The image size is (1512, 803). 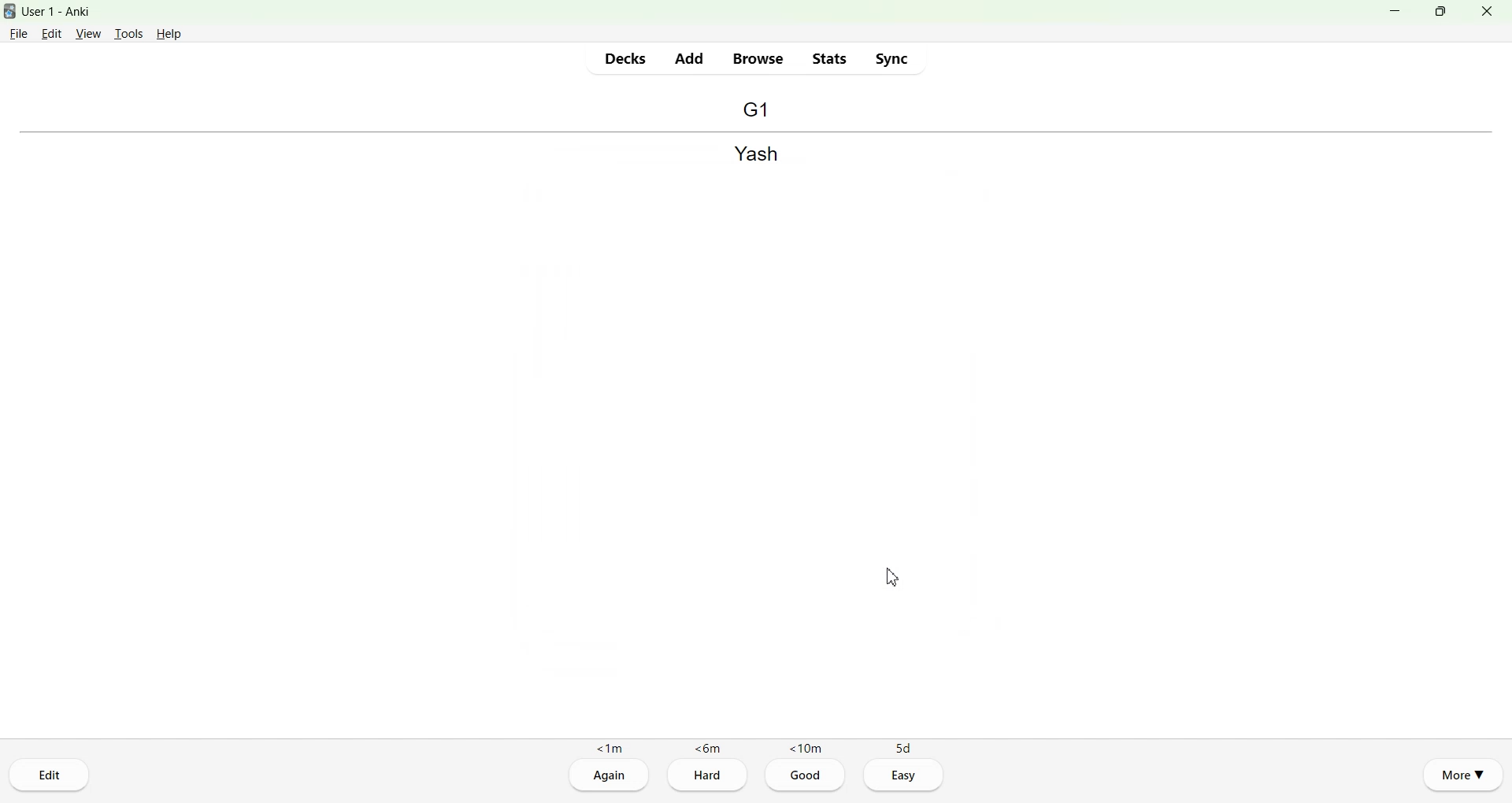 I want to click on Edit, so click(x=53, y=33).